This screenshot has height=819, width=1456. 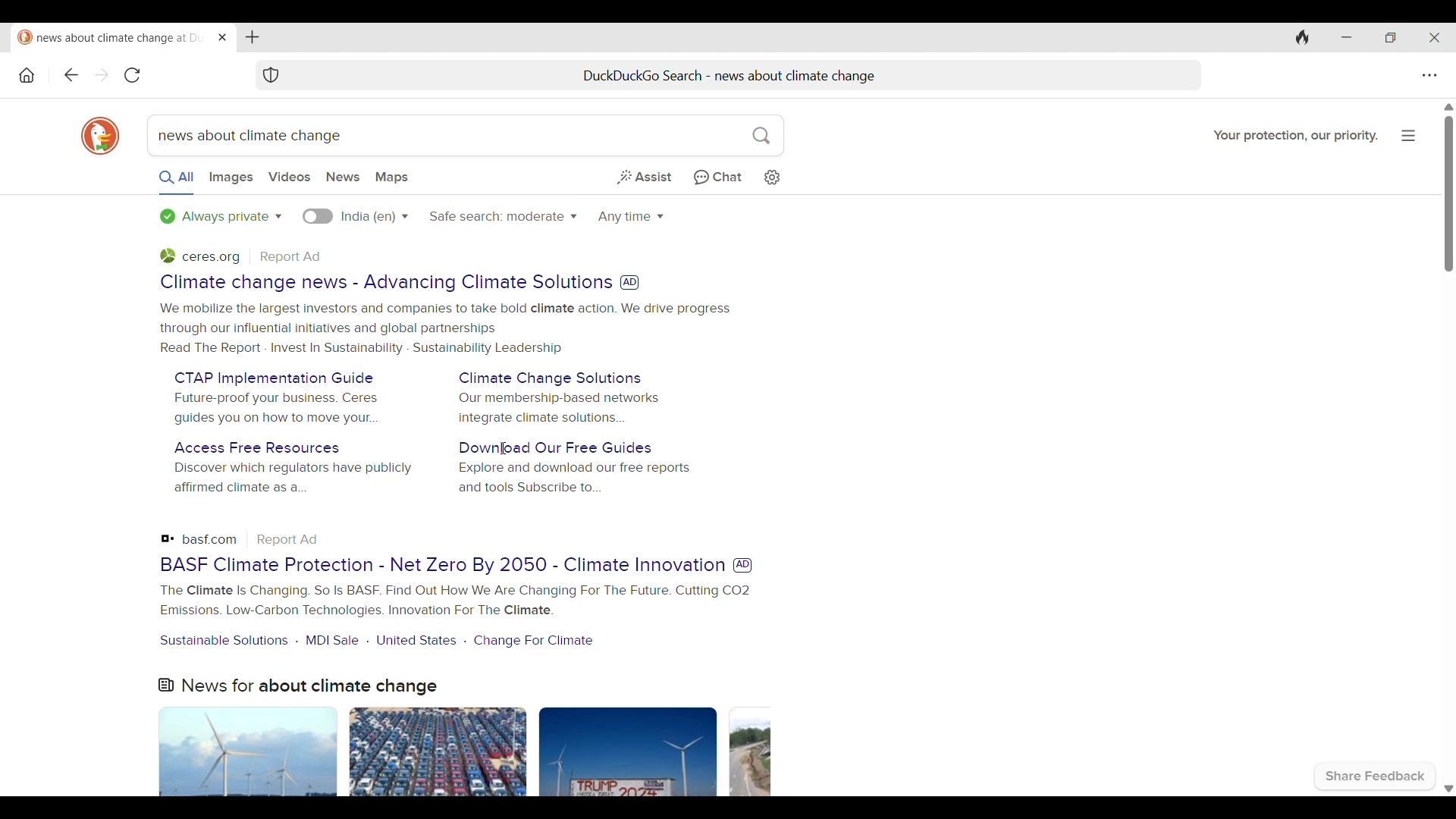 I want to click on our membership based networks integrate climate solutions, so click(x=560, y=408).